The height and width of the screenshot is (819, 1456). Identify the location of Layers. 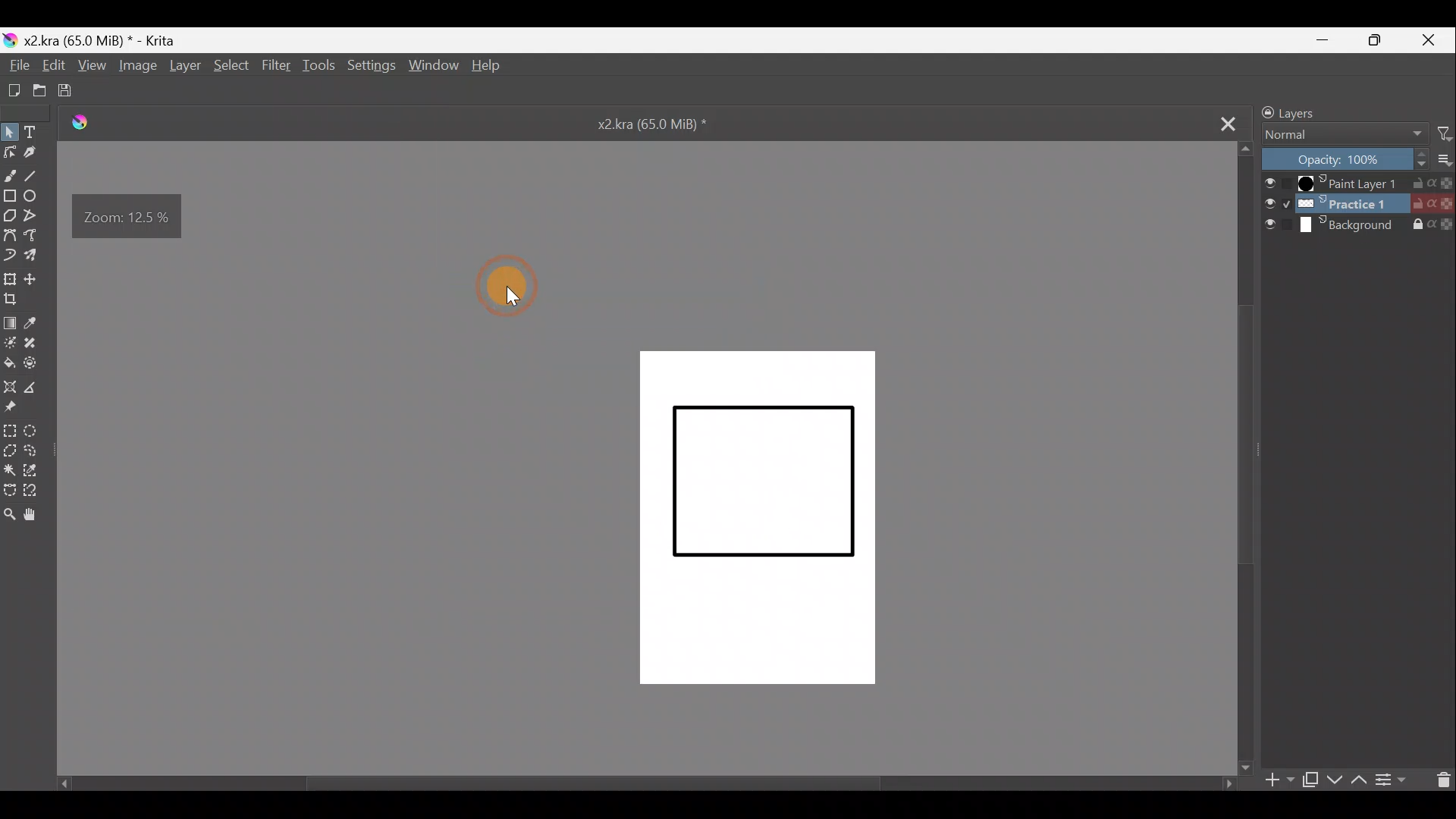
(1318, 111).